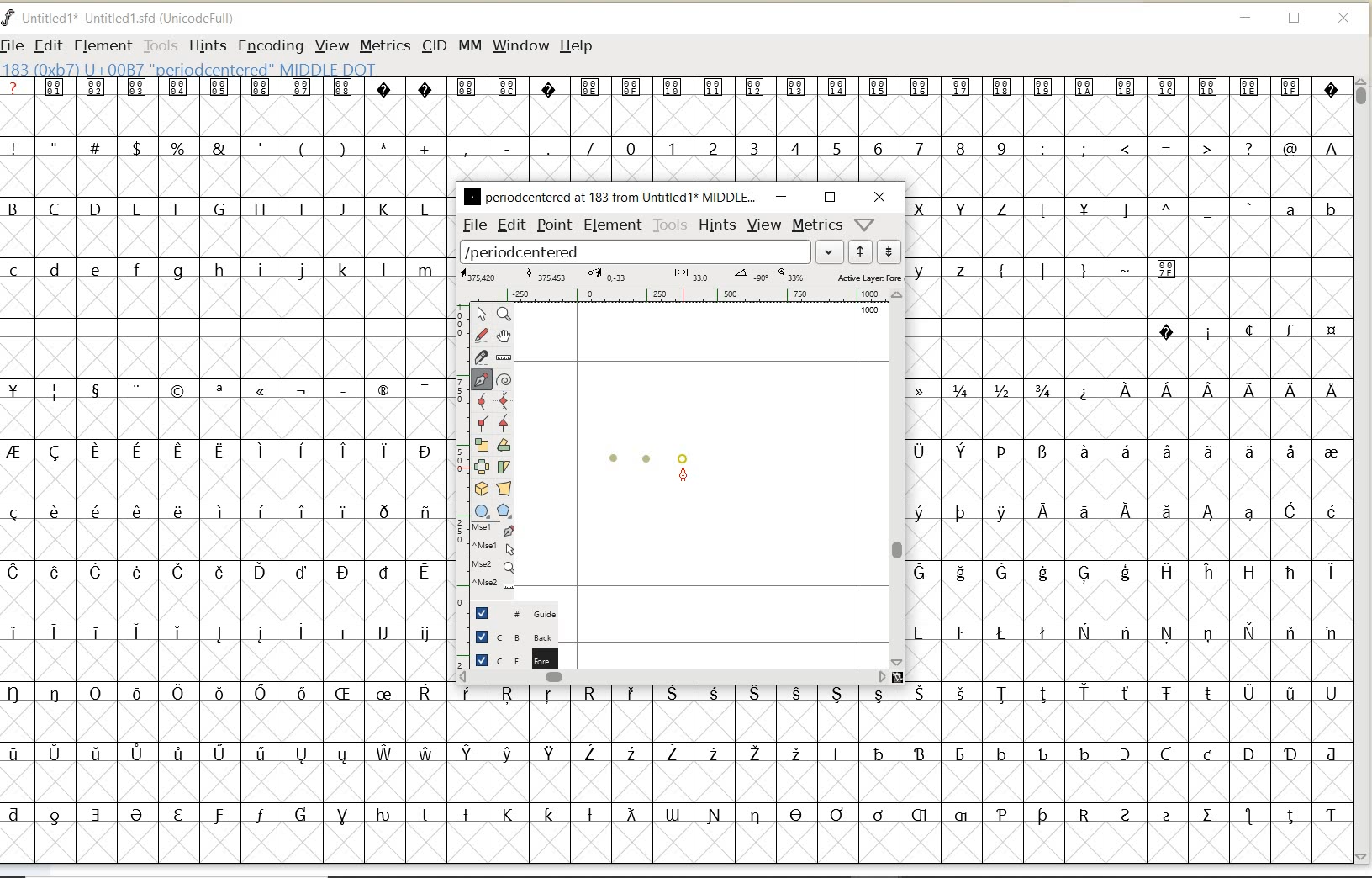 This screenshot has width=1372, height=878. I want to click on minimize, so click(781, 197).